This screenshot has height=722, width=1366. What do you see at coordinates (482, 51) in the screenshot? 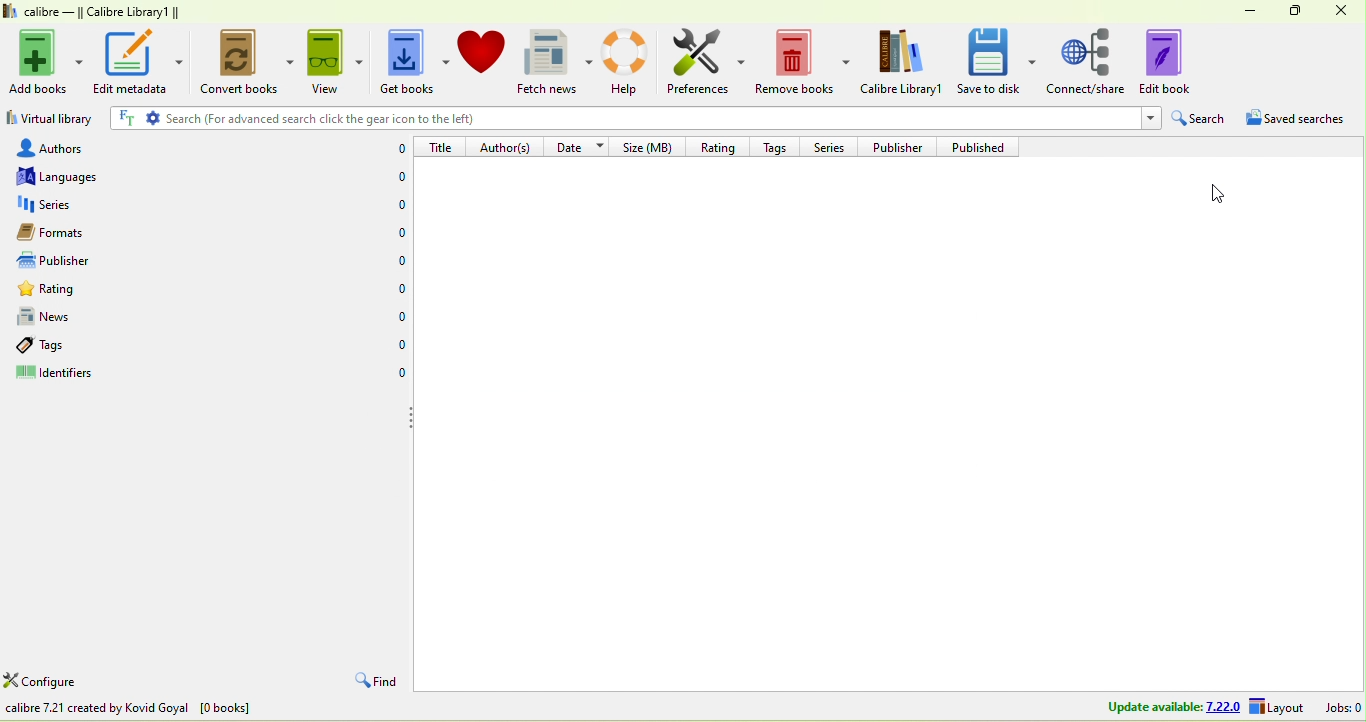
I see `donate` at bounding box center [482, 51].